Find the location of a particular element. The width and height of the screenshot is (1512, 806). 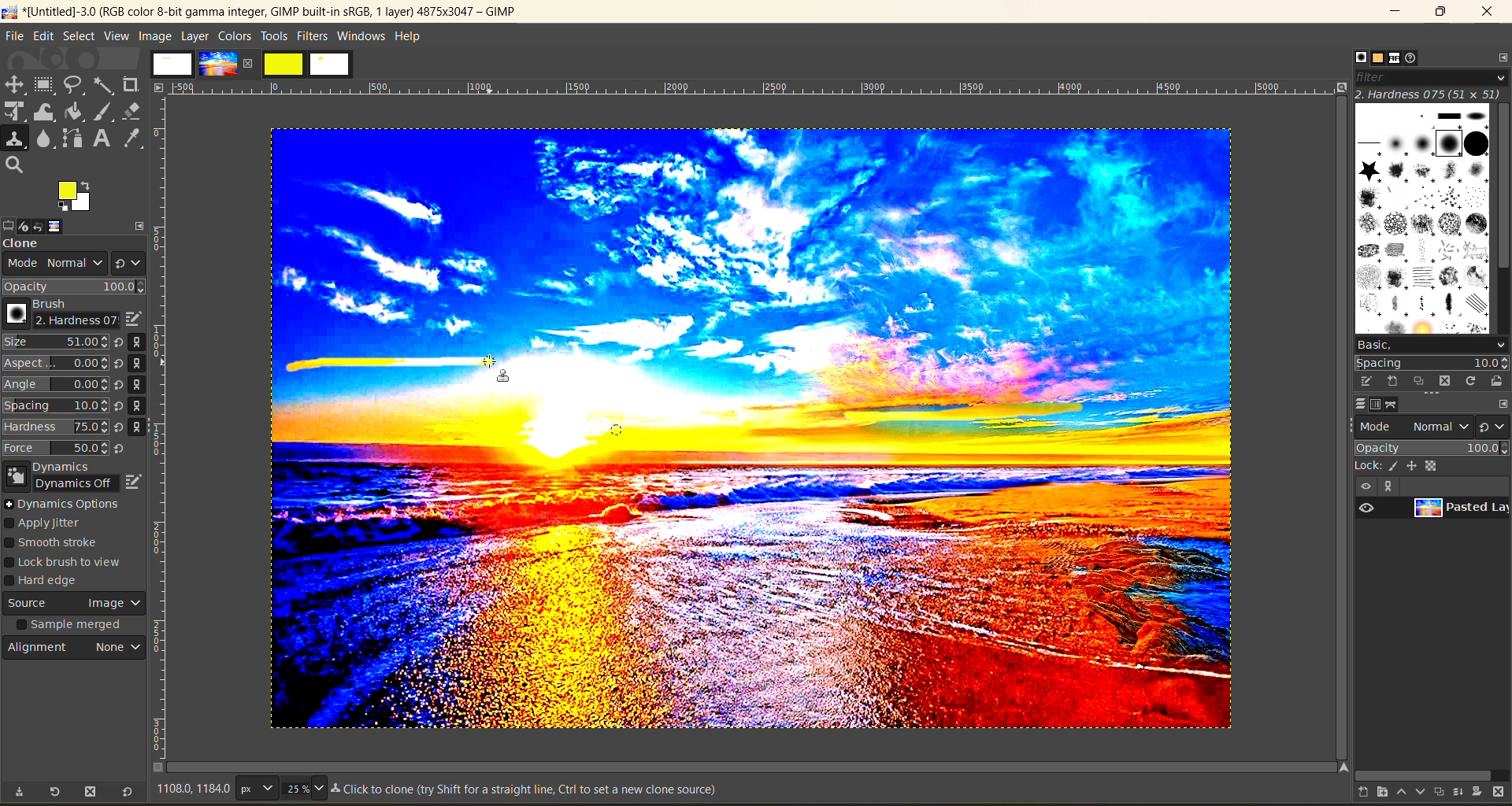

opacity is located at coordinates (1430, 447).